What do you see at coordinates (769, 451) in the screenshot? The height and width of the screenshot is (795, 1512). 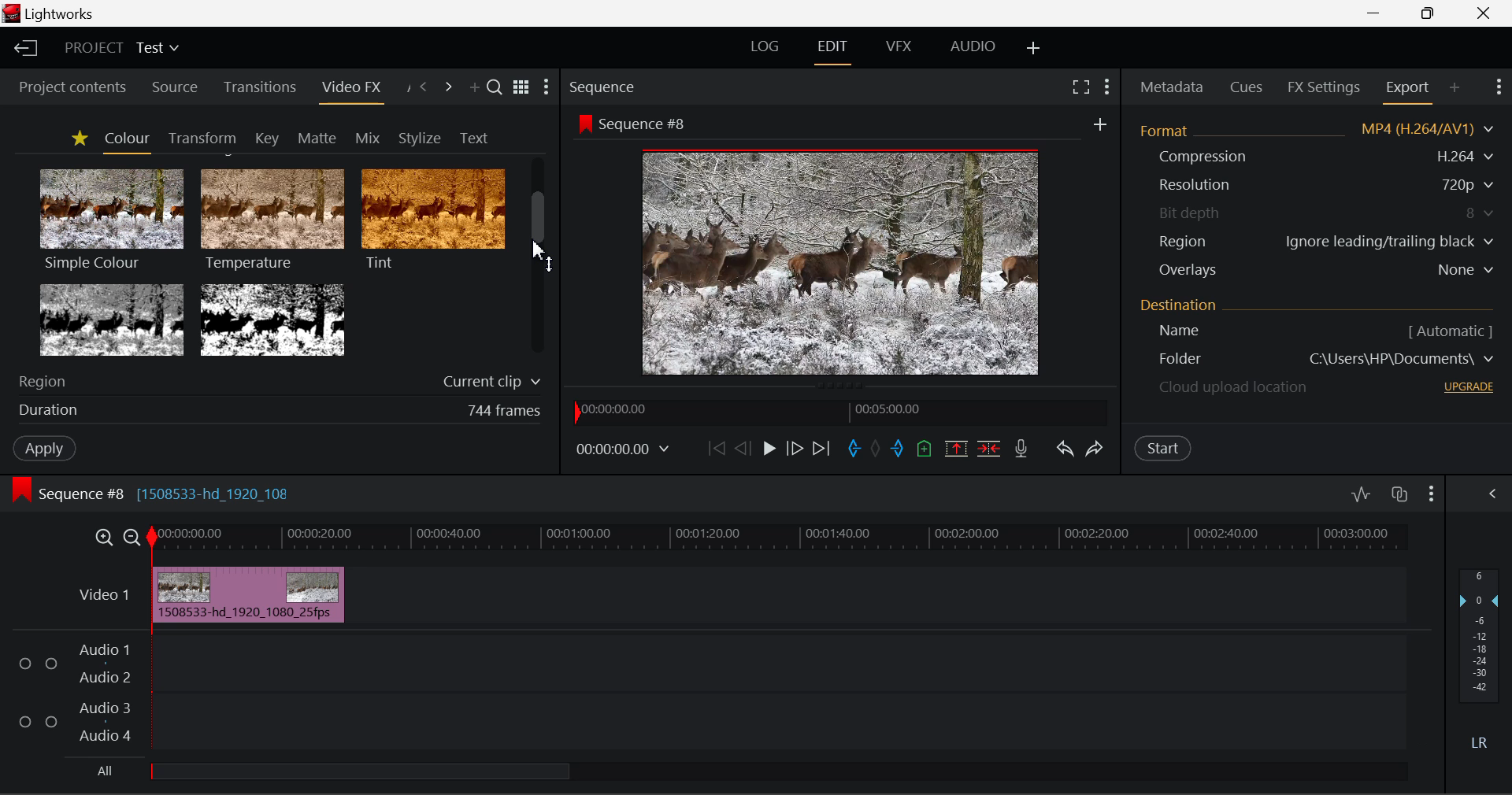 I see `Play` at bounding box center [769, 451].